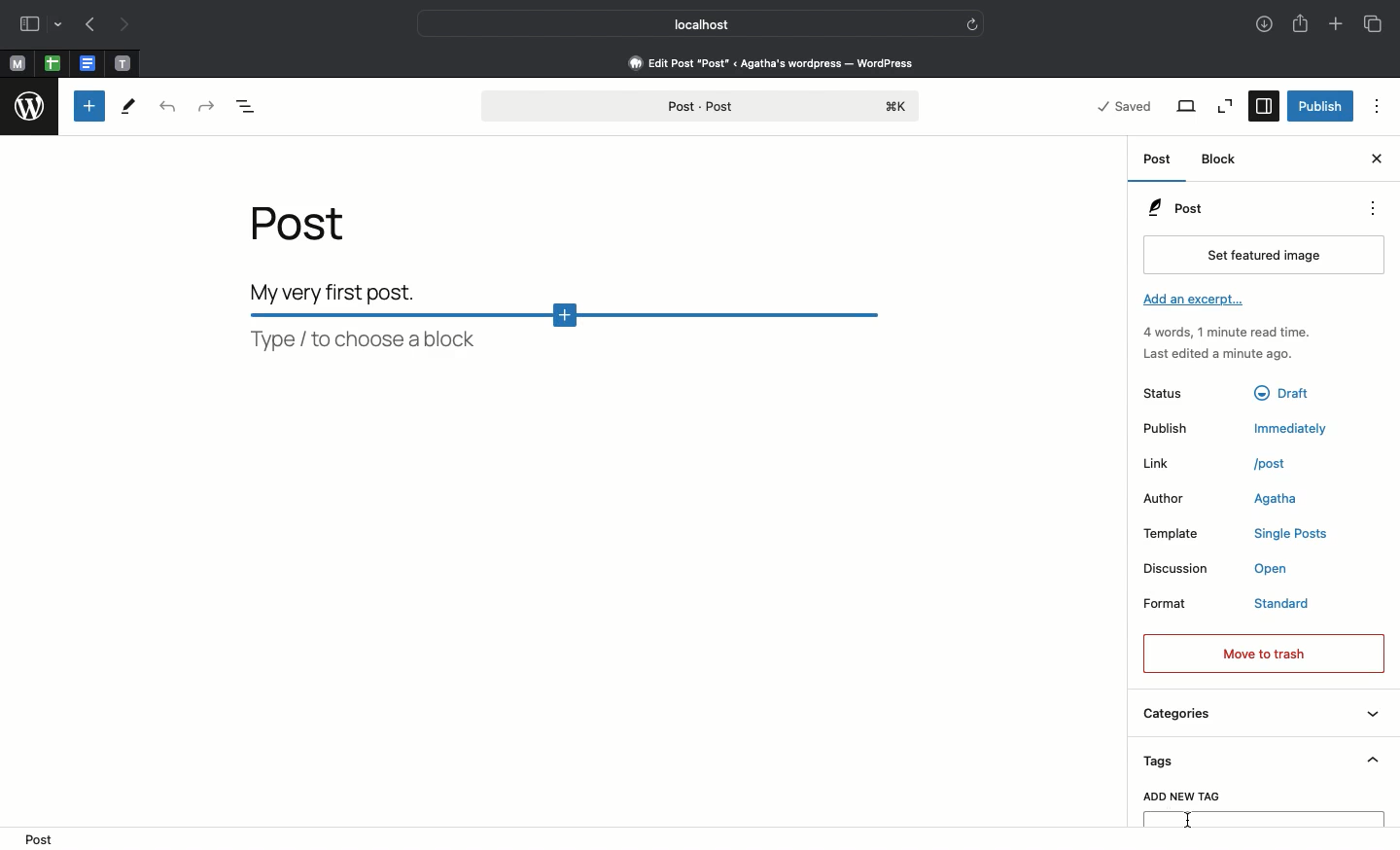  Describe the element at coordinates (1159, 161) in the screenshot. I see `Post` at that location.